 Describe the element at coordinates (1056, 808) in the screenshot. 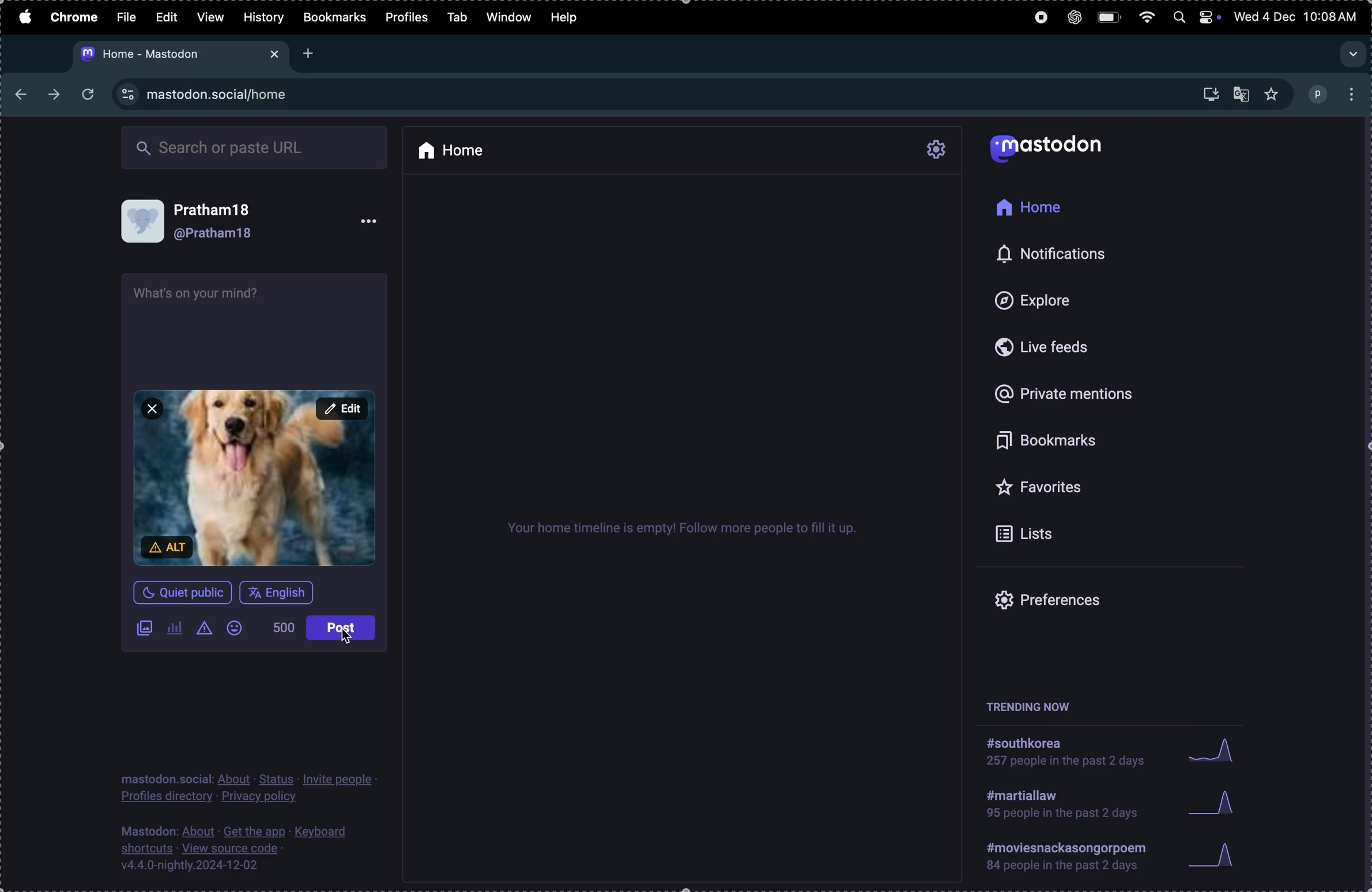

I see `#martial law` at that location.